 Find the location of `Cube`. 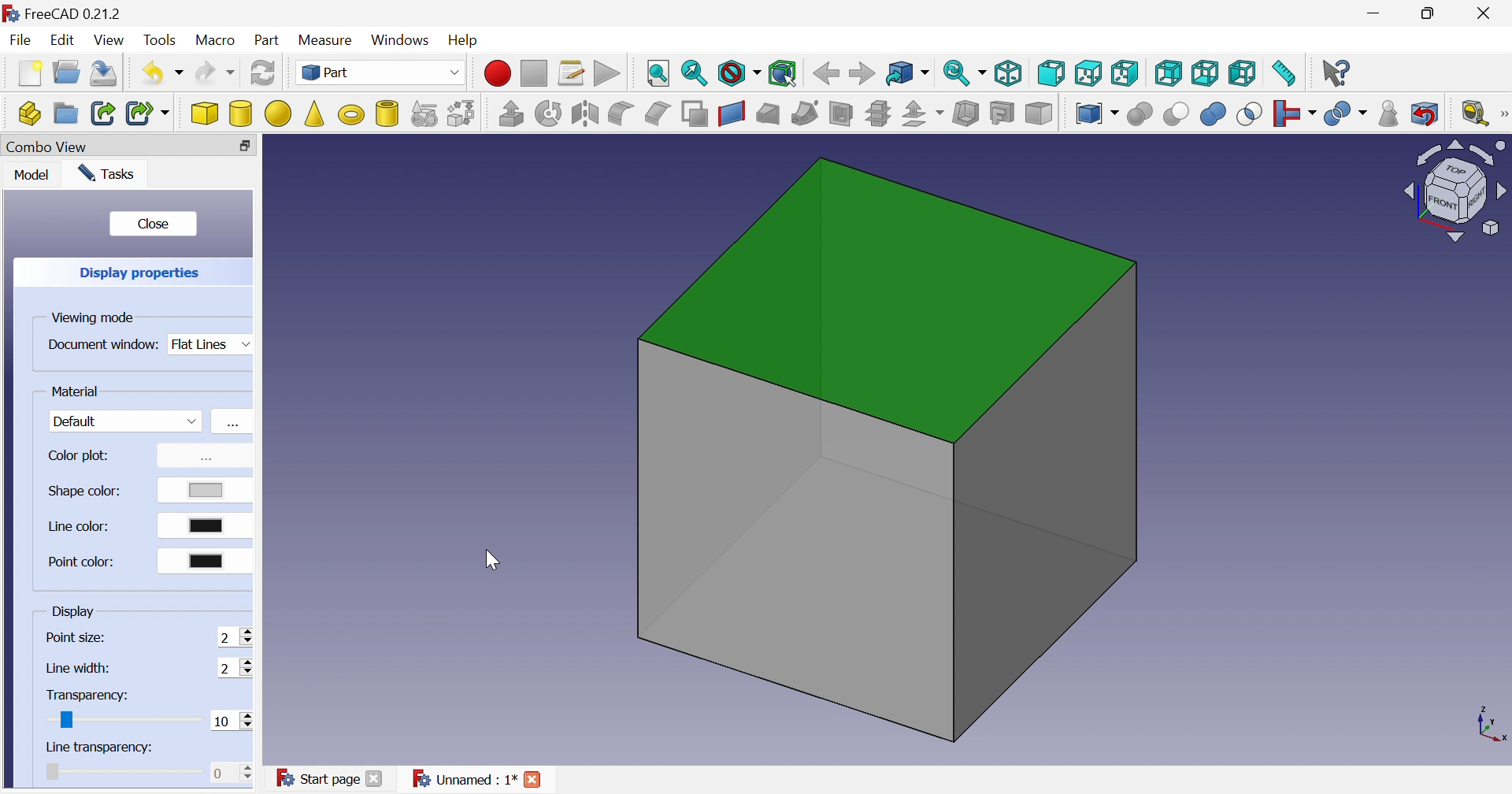

Cube is located at coordinates (203, 113).